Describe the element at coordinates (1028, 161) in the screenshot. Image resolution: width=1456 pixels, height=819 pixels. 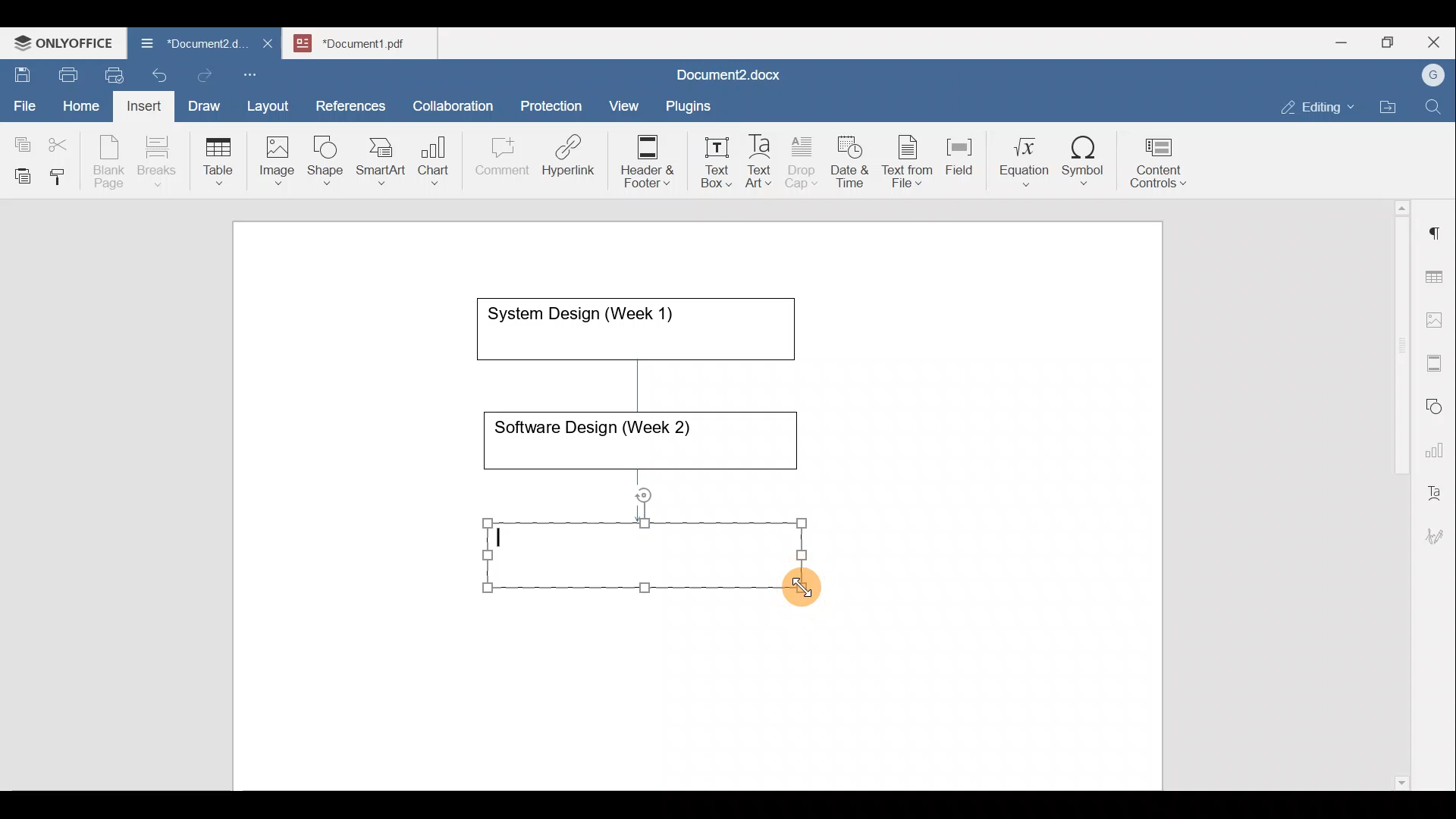
I see `Equation` at that location.